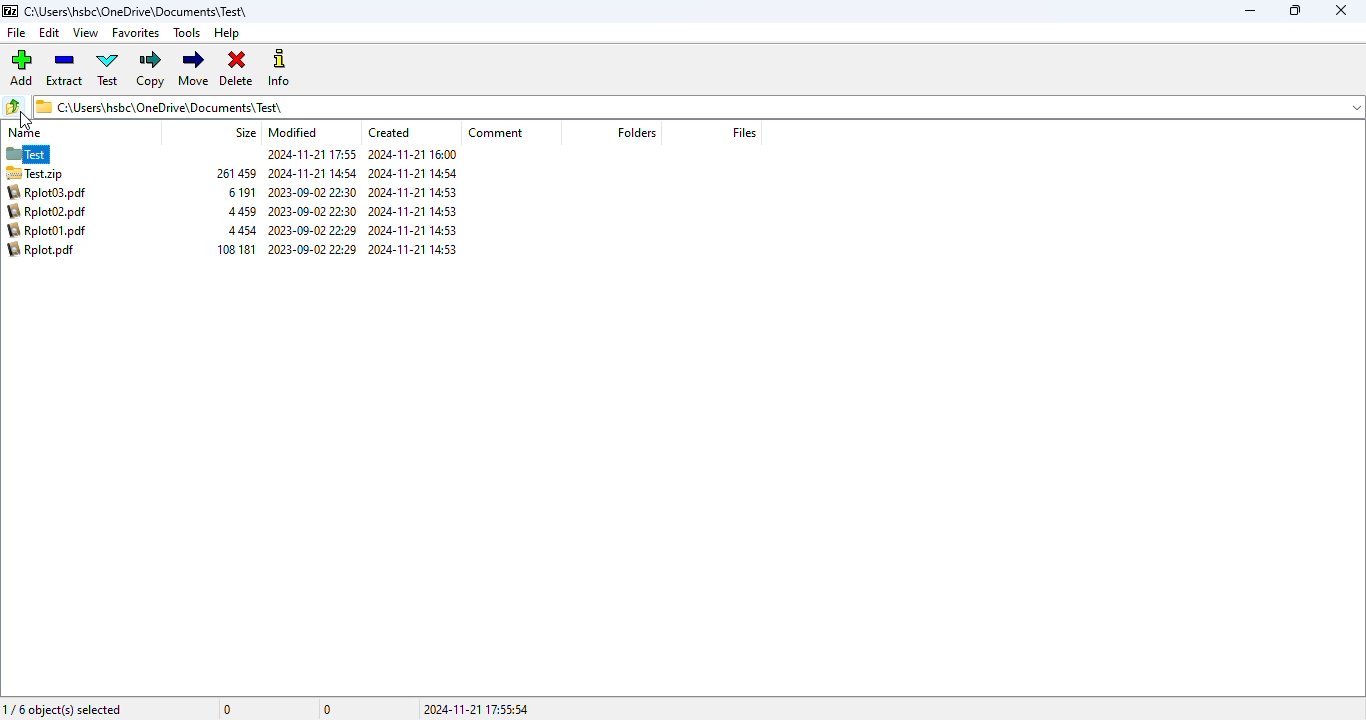  What do you see at coordinates (49, 32) in the screenshot?
I see `edit` at bounding box center [49, 32].